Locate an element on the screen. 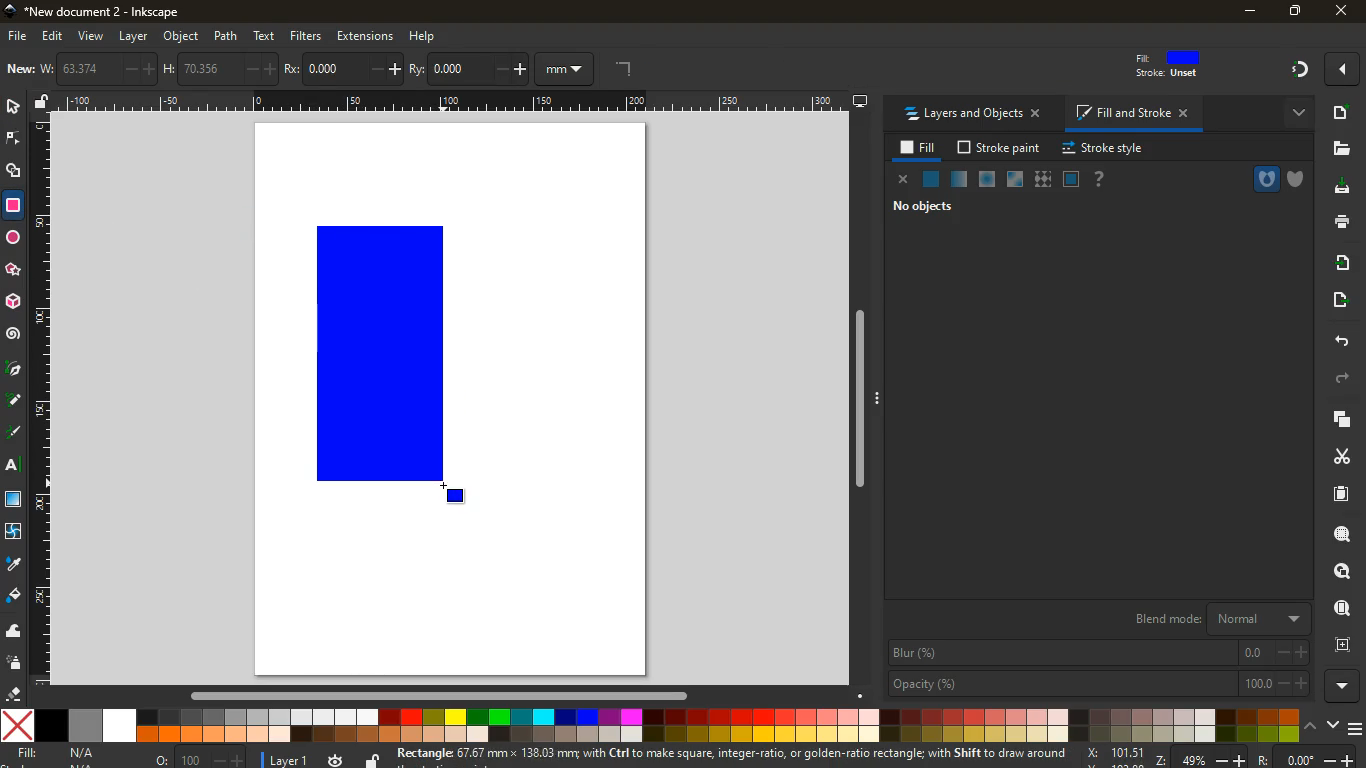 The height and width of the screenshot is (768, 1366). spiral is located at coordinates (14, 336).